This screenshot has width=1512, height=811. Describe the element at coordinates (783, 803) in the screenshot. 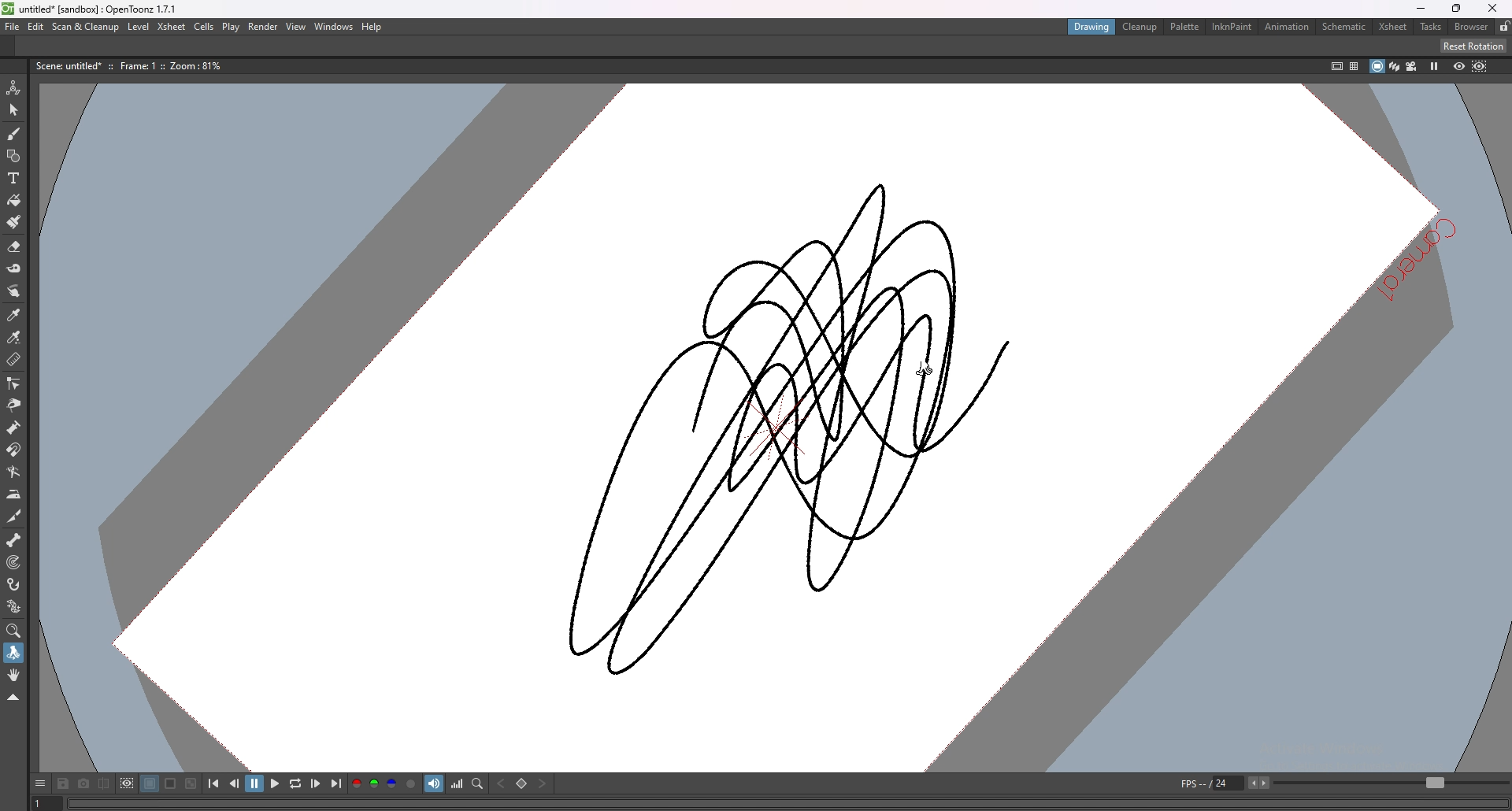

I see `player` at that location.